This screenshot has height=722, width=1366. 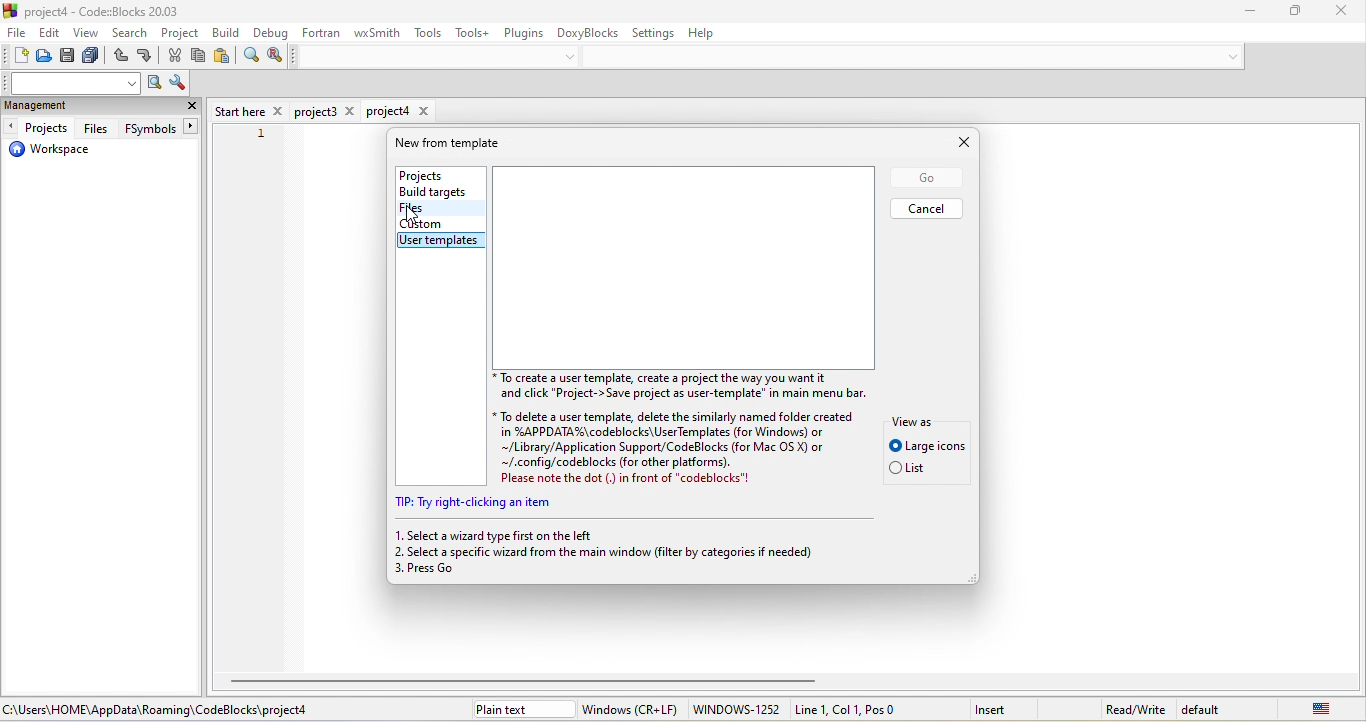 What do you see at coordinates (1135, 706) in the screenshot?
I see `read\write` at bounding box center [1135, 706].